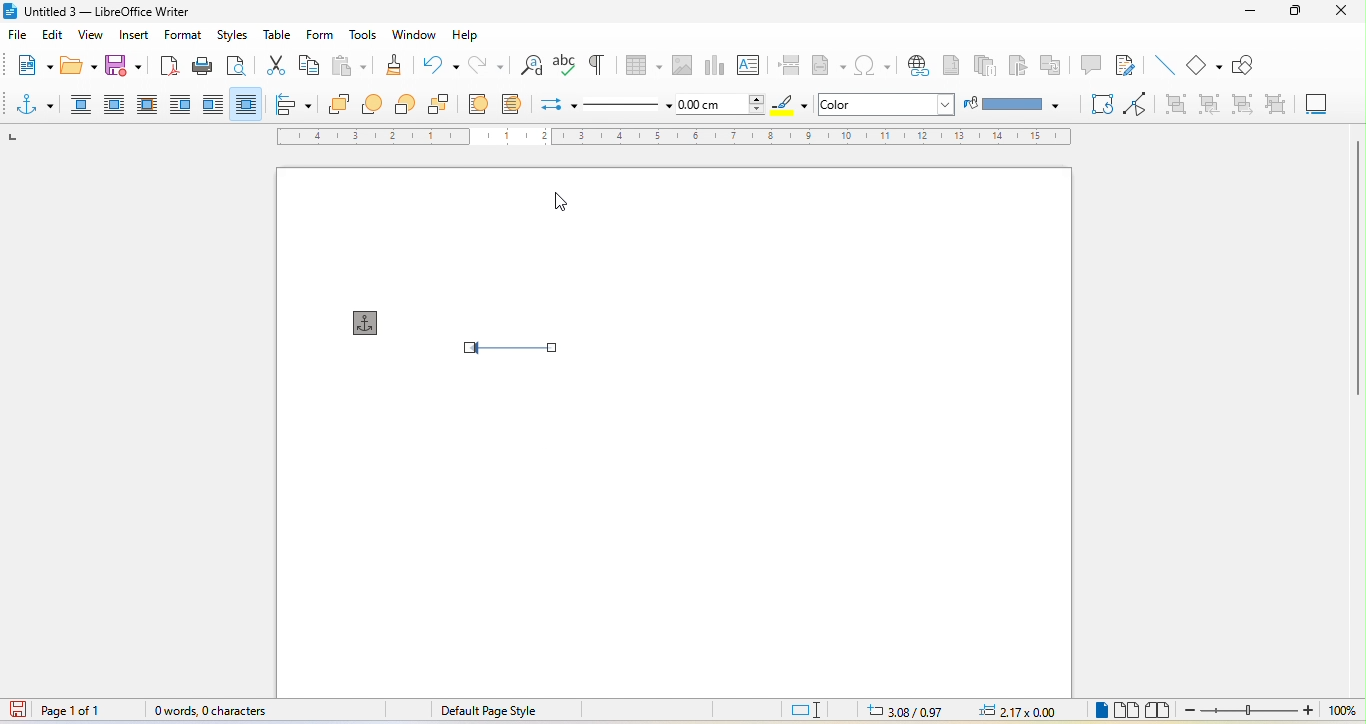 The width and height of the screenshot is (1366, 724). Describe the element at coordinates (1092, 63) in the screenshot. I see `comment` at that location.